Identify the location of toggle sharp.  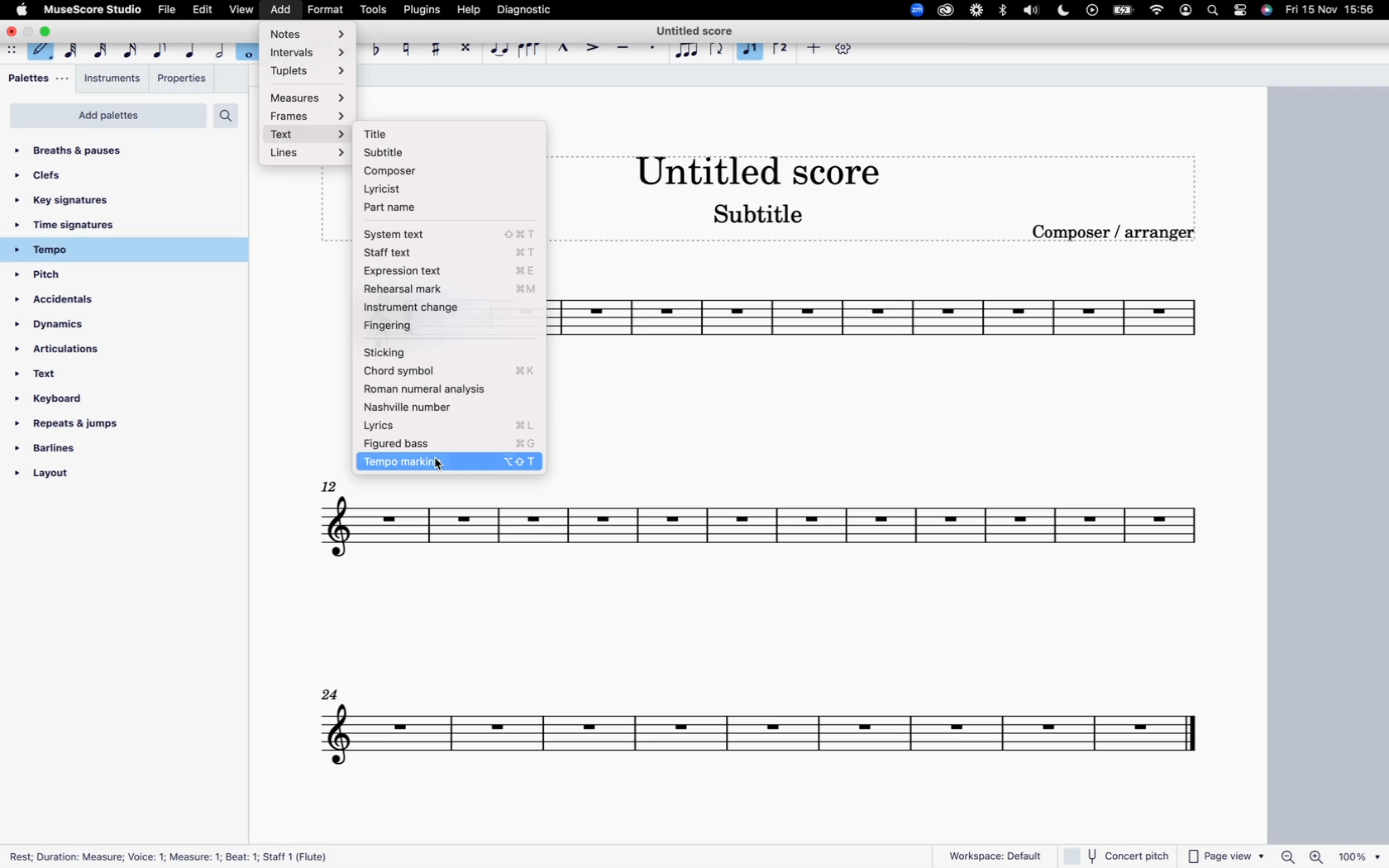
(435, 47).